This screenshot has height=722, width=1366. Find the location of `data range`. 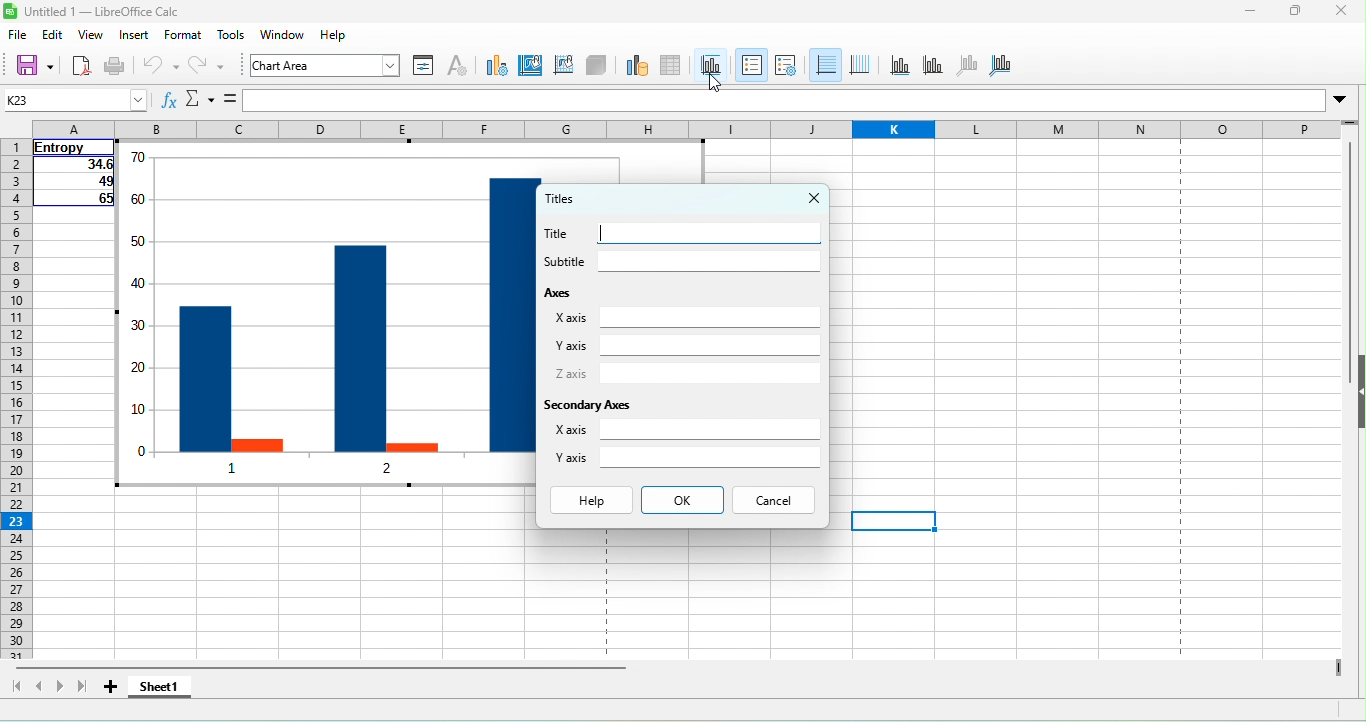

data range is located at coordinates (634, 67).